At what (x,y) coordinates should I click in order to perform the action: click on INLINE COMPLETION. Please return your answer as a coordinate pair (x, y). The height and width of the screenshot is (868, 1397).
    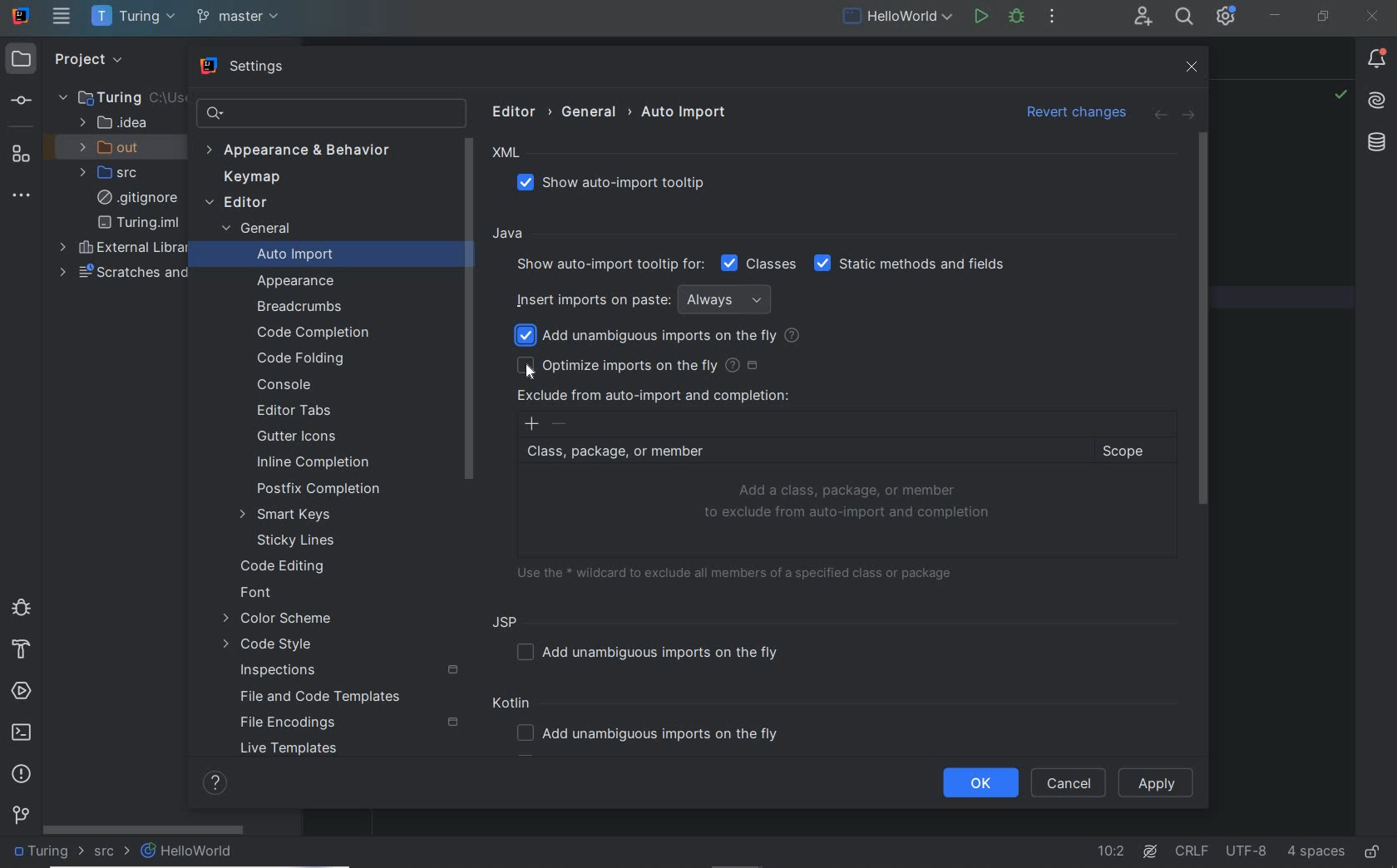
    Looking at the image, I should click on (320, 465).